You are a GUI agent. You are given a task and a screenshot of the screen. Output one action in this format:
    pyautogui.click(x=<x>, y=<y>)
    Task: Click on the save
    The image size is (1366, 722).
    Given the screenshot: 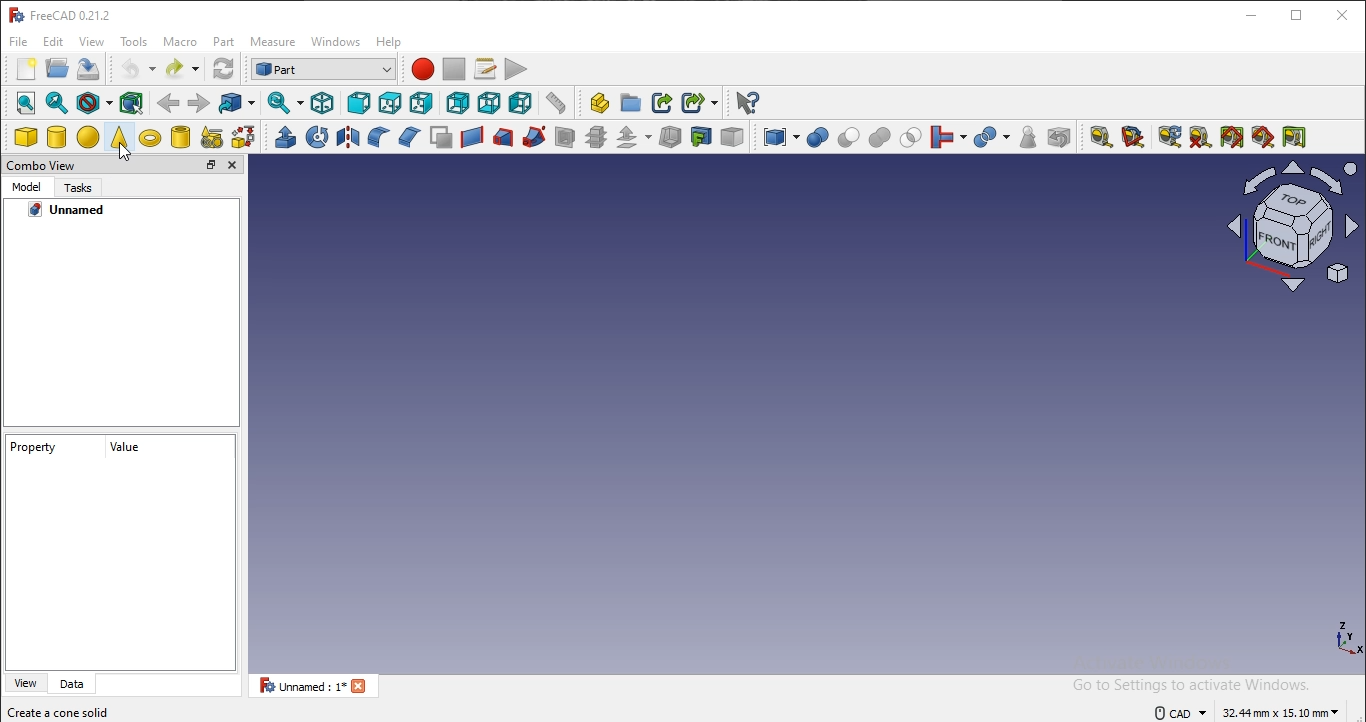 What is the action you would take?
    pyautogui.click(x=89, y=70)
    